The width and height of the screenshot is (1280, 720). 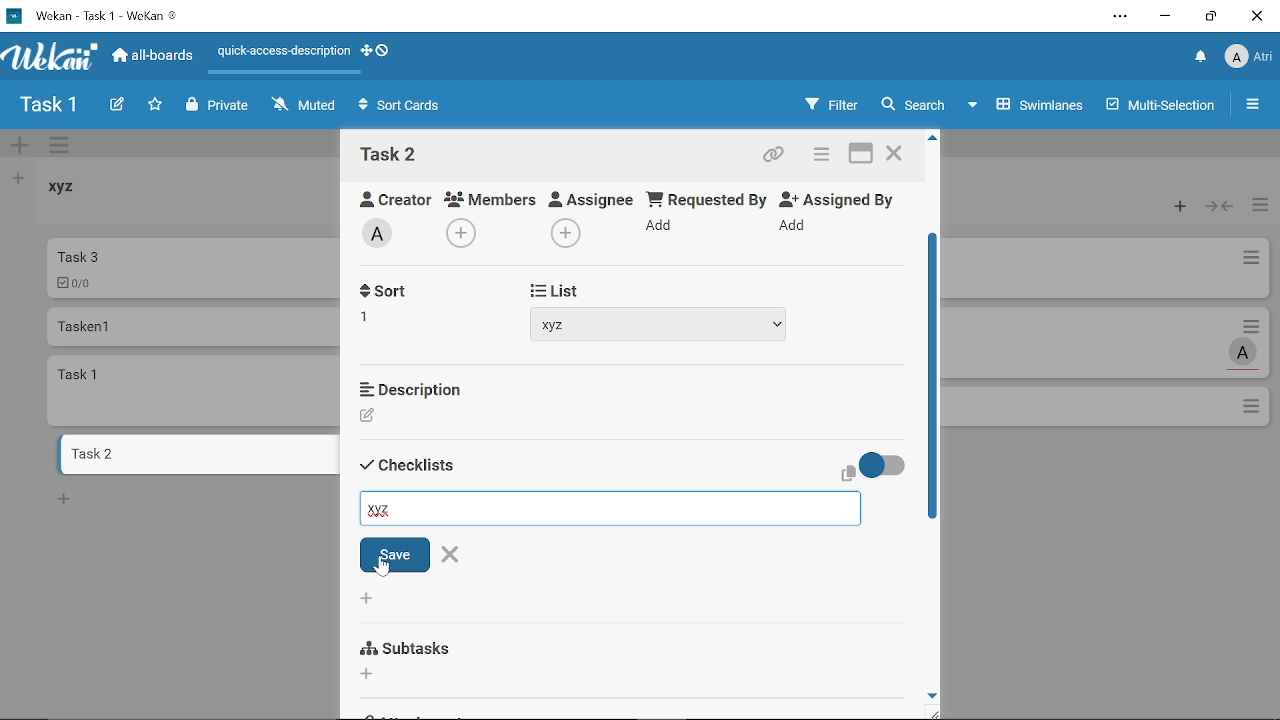 I want to click on Requested By, so click(x=707, y=198).